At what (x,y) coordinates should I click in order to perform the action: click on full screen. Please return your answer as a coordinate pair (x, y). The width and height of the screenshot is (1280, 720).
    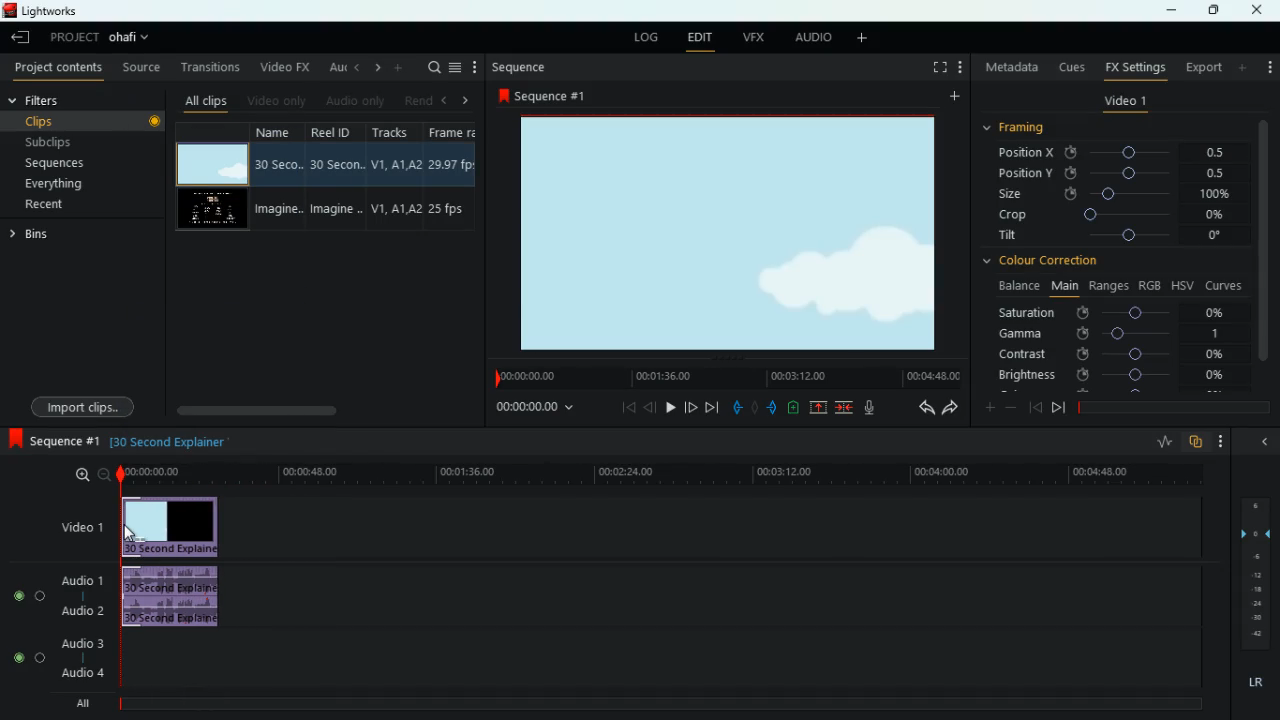
    Looking at the image, I should click on (936, 66).